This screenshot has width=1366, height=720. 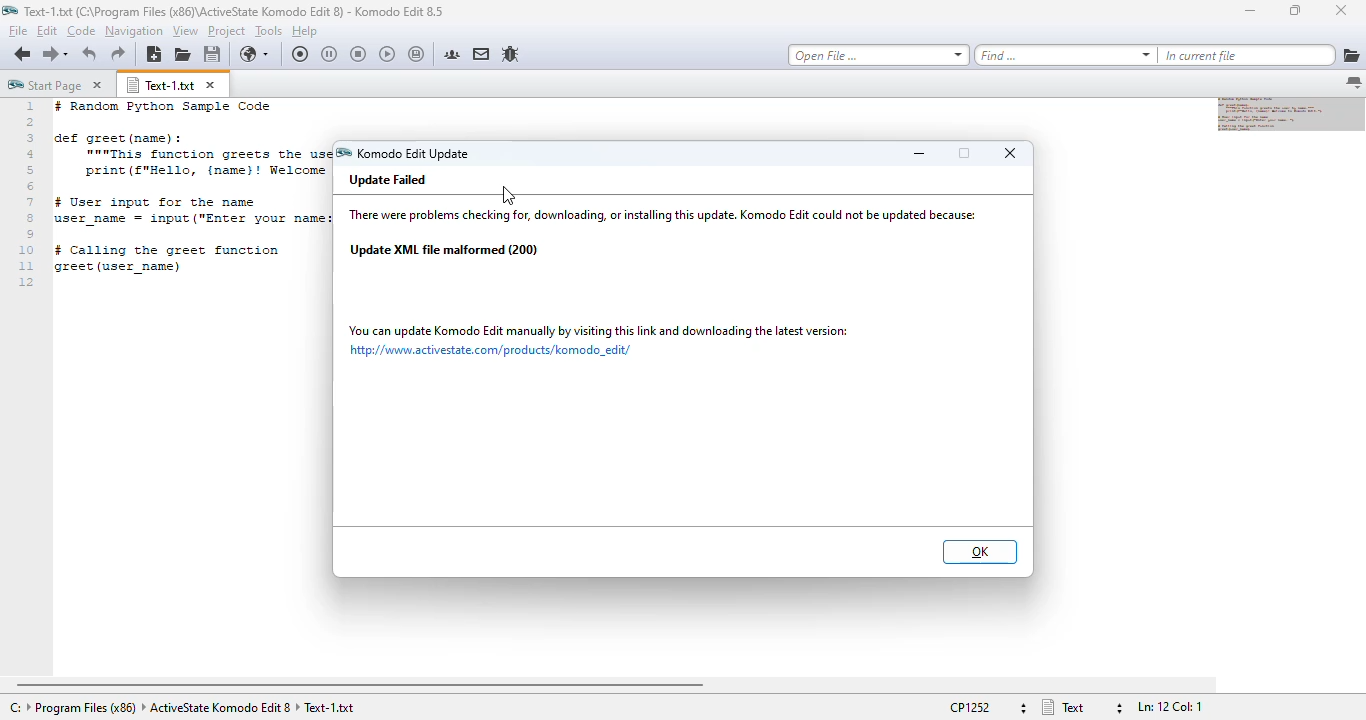 What do you see at coordinates (388, 54) in the screenshot?
I see `play last macro` at bounding box center [388, 54].